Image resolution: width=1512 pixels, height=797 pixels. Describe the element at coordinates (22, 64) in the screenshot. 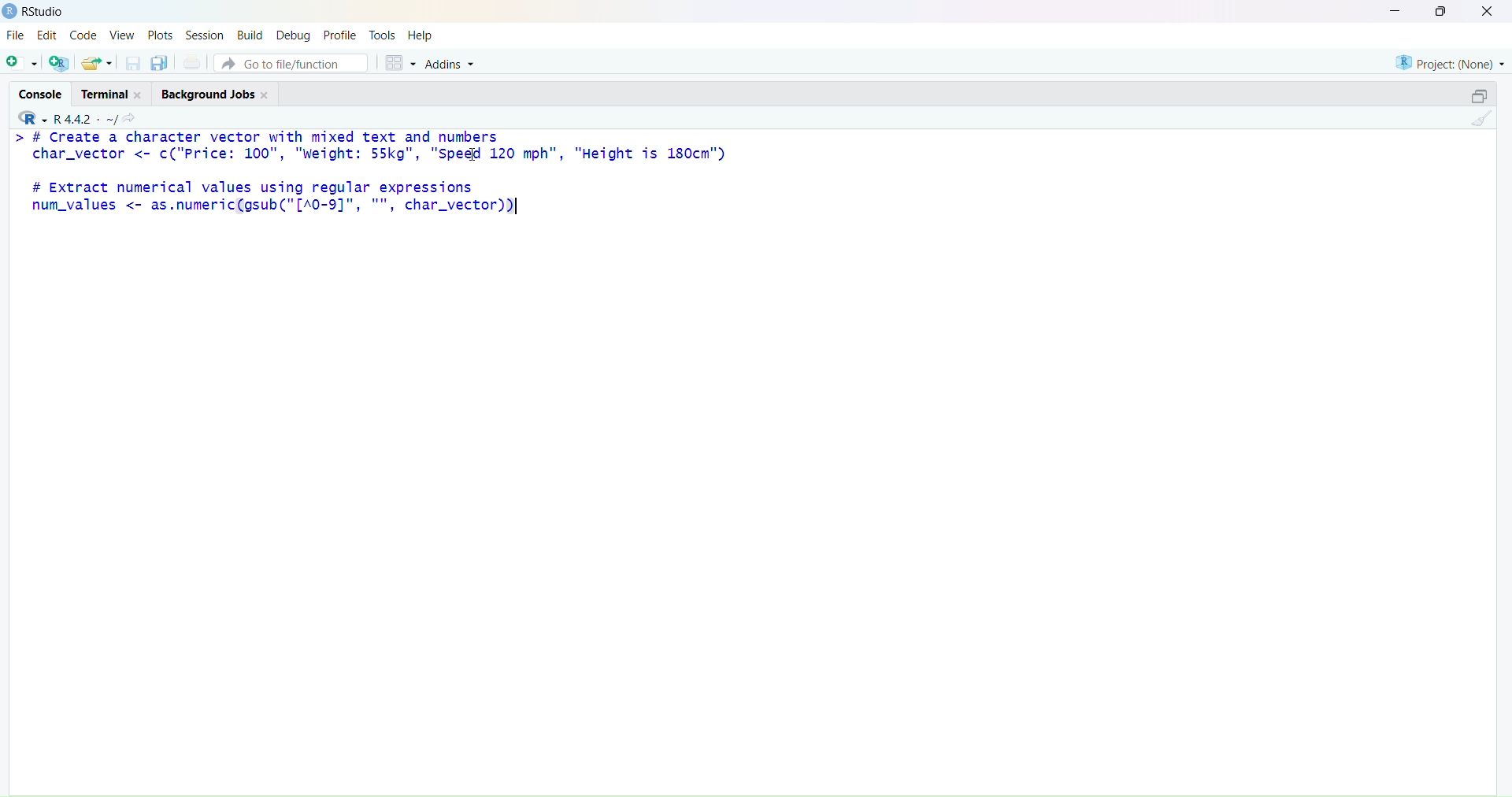

I see `add file as` at that location.